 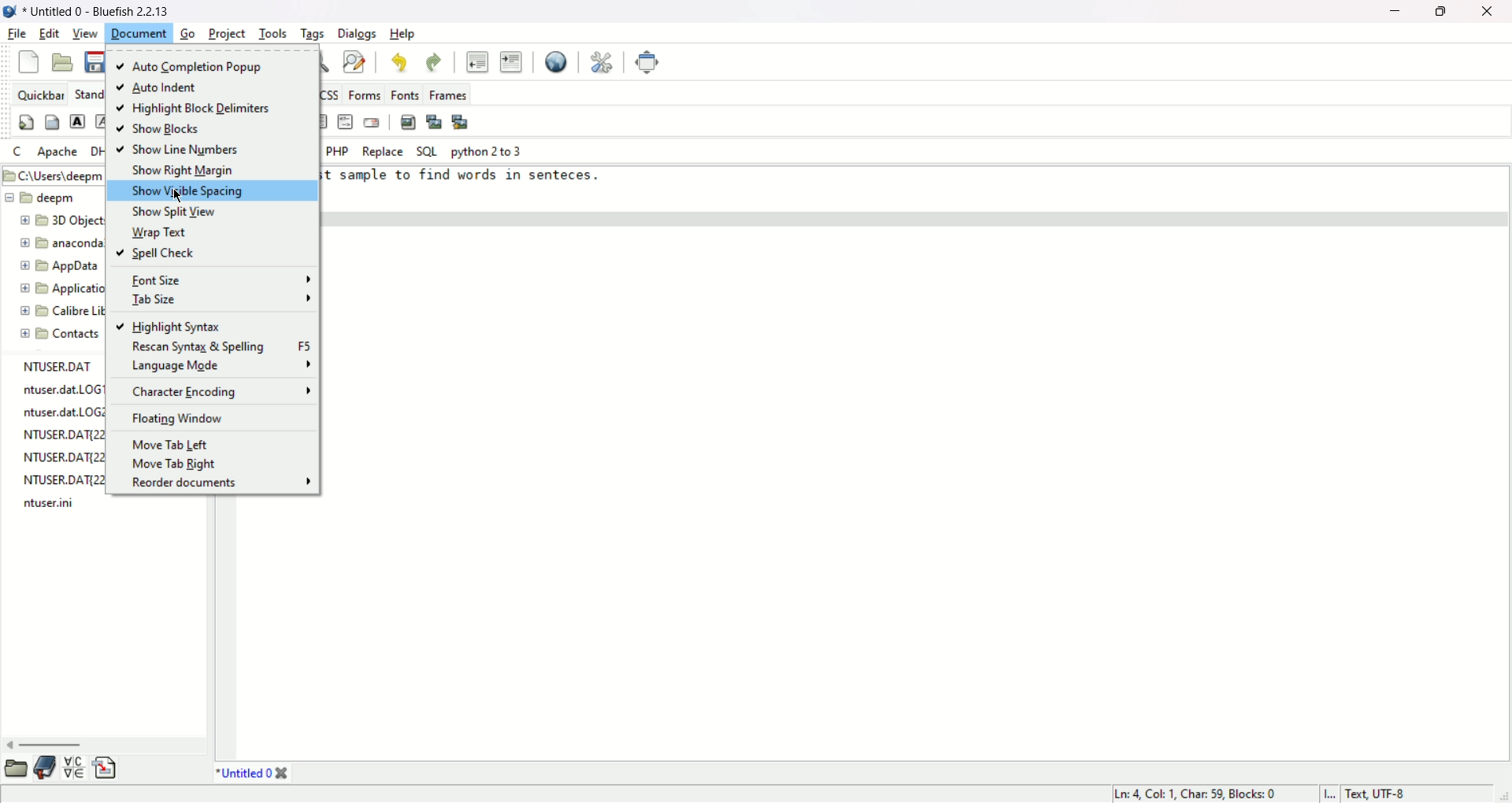 What do you see at coordinates (398, 61) in the screenshot?
I see `undo` at bounding box center [398, 61].